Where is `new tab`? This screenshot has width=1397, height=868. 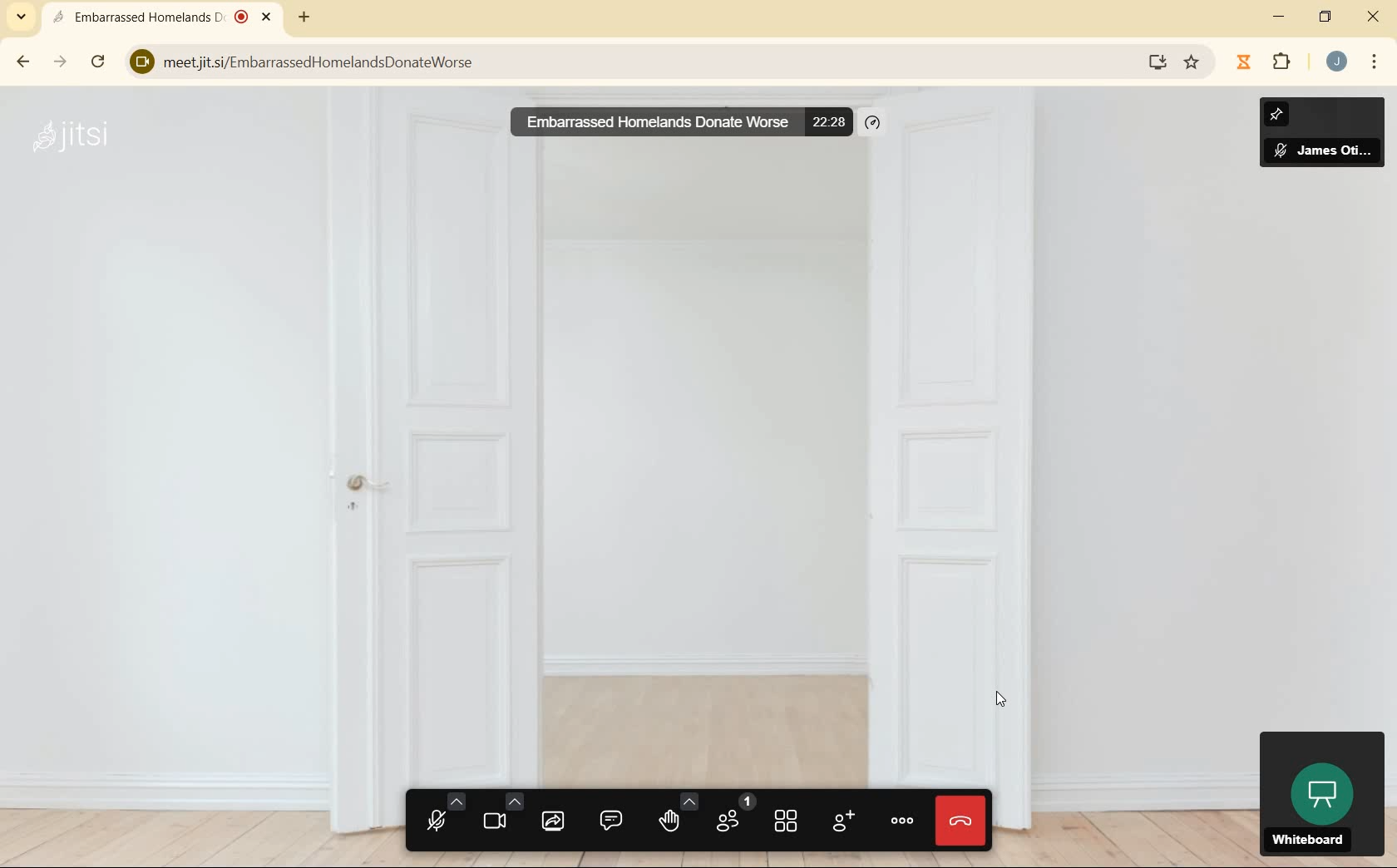 new tab is located at coordinates (305, 16).